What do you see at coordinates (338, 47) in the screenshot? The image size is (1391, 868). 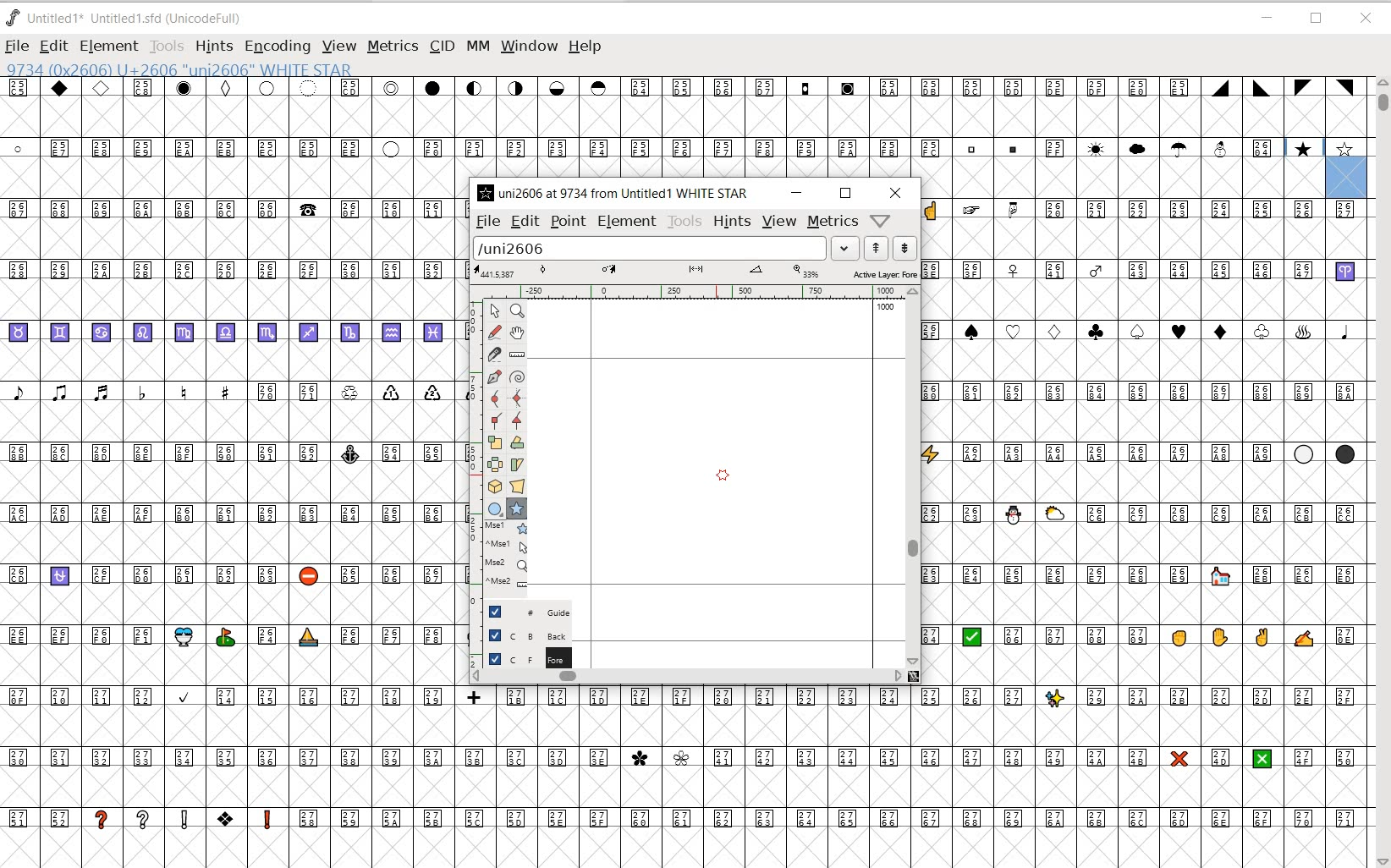 I see `VIEW` at bounding box center [338, 47].